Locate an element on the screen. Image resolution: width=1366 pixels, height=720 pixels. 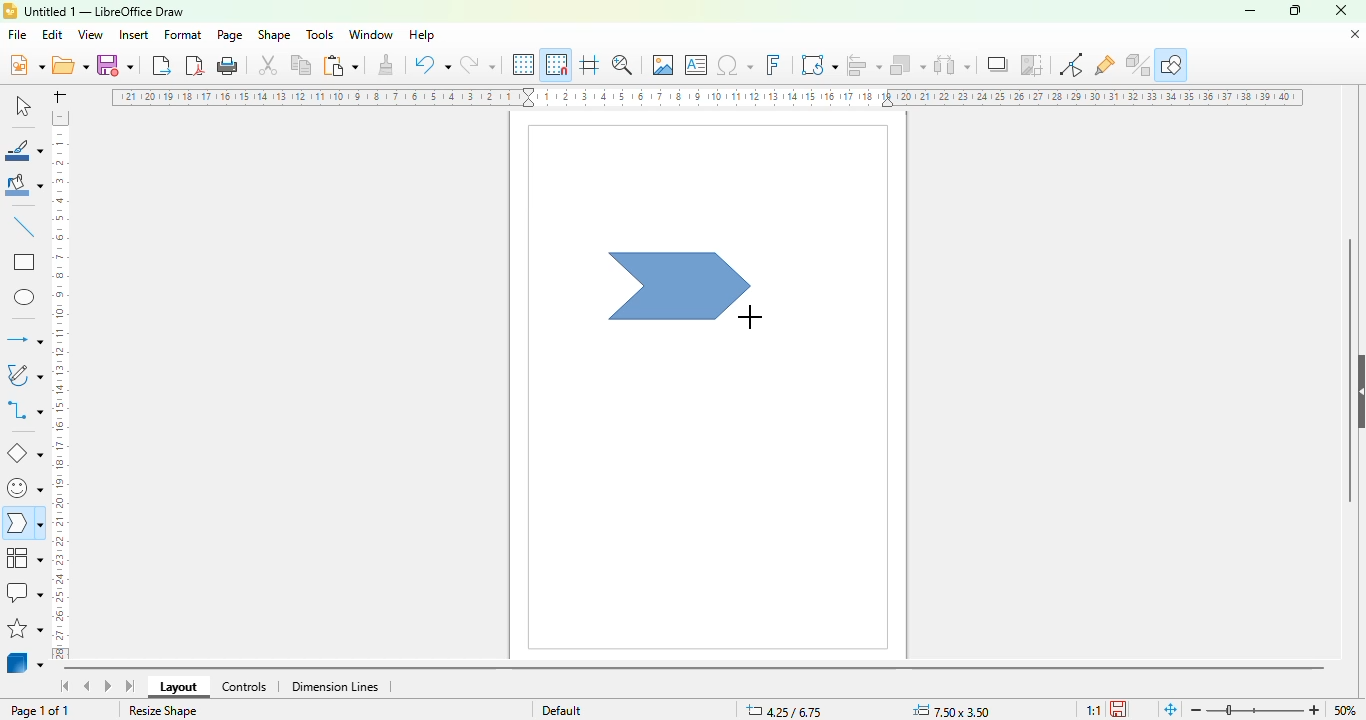
scroll to last sheet is located at coordinates (131, 686).